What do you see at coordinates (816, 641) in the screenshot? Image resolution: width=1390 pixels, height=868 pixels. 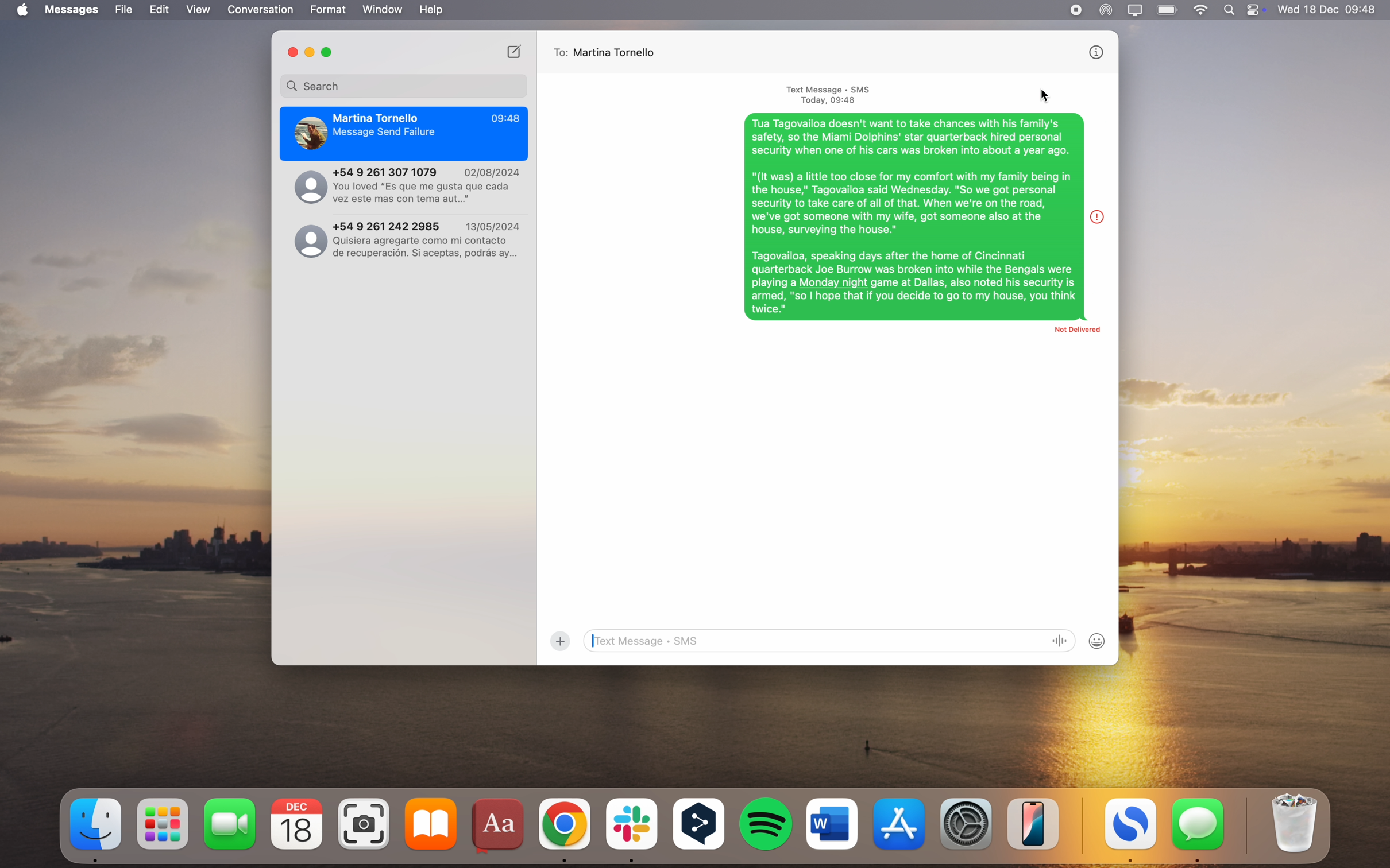 I see `text message` at bounding box center [816, 641].